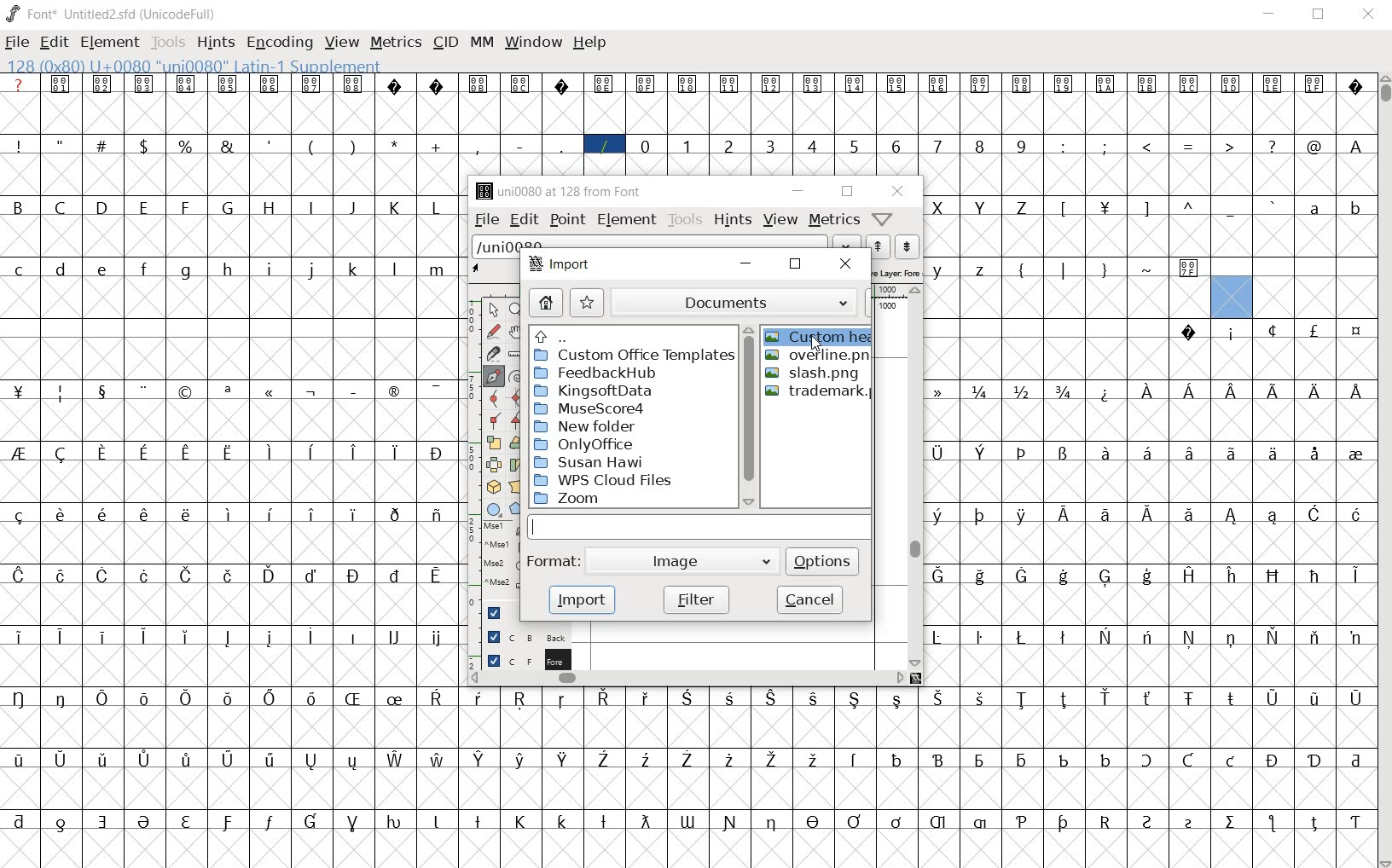 The height and width of the screenshot is (868, 1392). What do you see at coordinates (480, 42) in the screenshot?
I see `MM` at bounding box center [480, 42].